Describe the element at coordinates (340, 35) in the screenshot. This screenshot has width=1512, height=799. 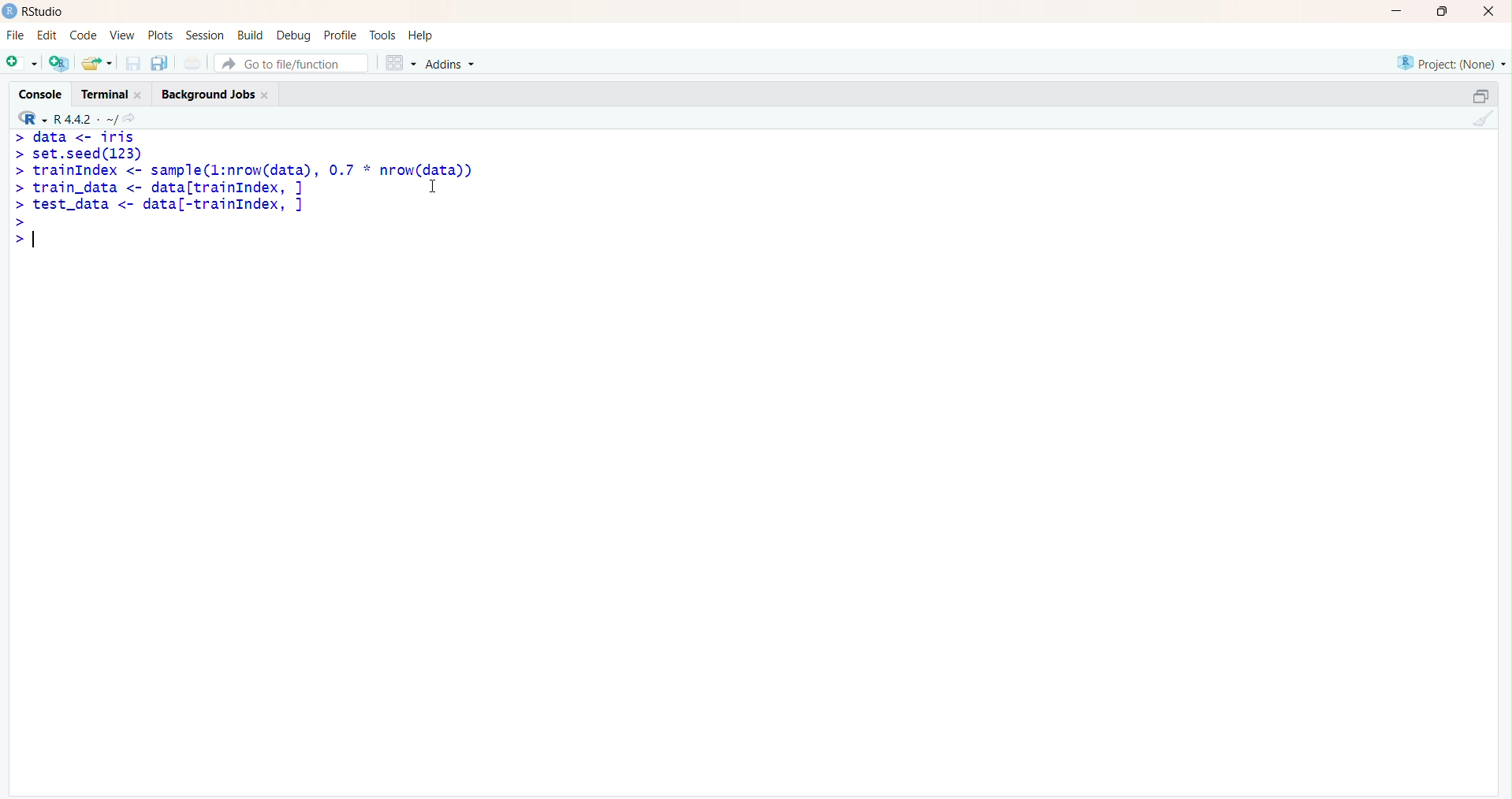
I see `Profile` at that location.